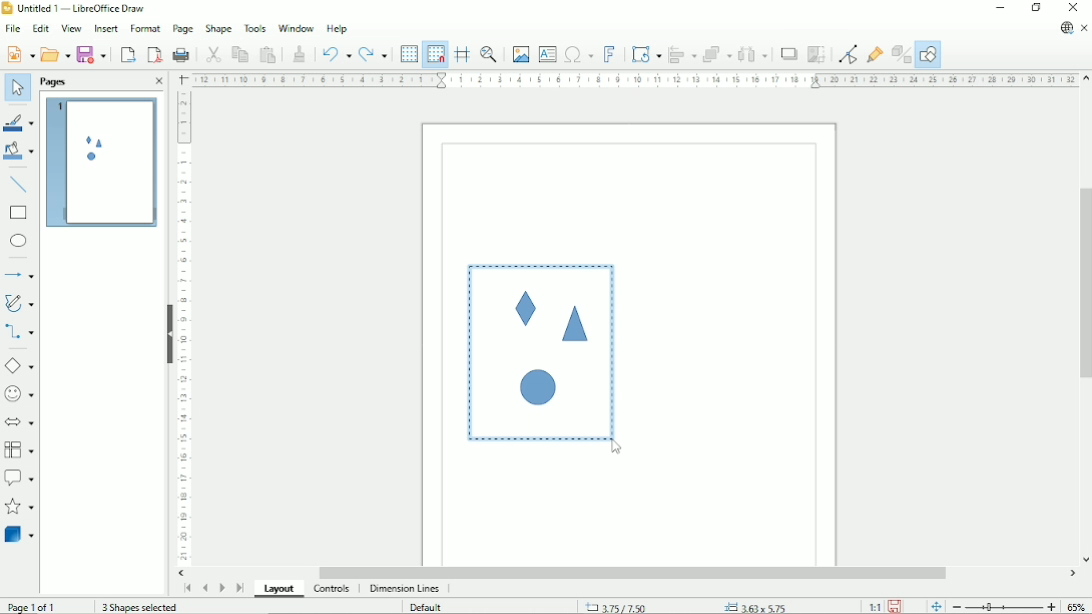 This screenshot has height=614, width=1092. What do you see at coordinates (19, 450) in the screenshot?
I see `Flow chart` at bounding box center [19, 450].